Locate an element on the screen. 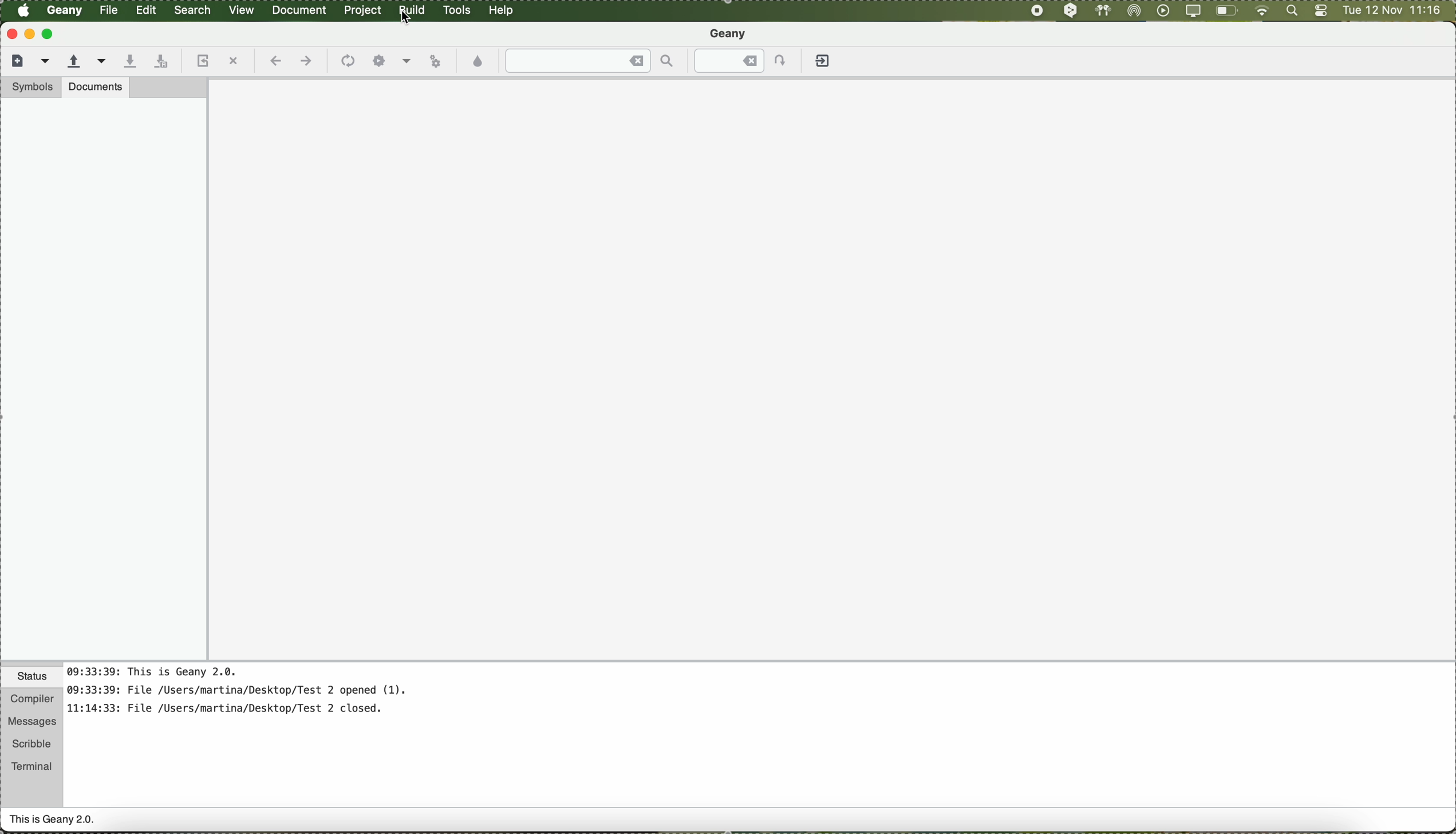 The width and height of the screenshot is (1456, 834). new file is located at coordinates (15, 60).